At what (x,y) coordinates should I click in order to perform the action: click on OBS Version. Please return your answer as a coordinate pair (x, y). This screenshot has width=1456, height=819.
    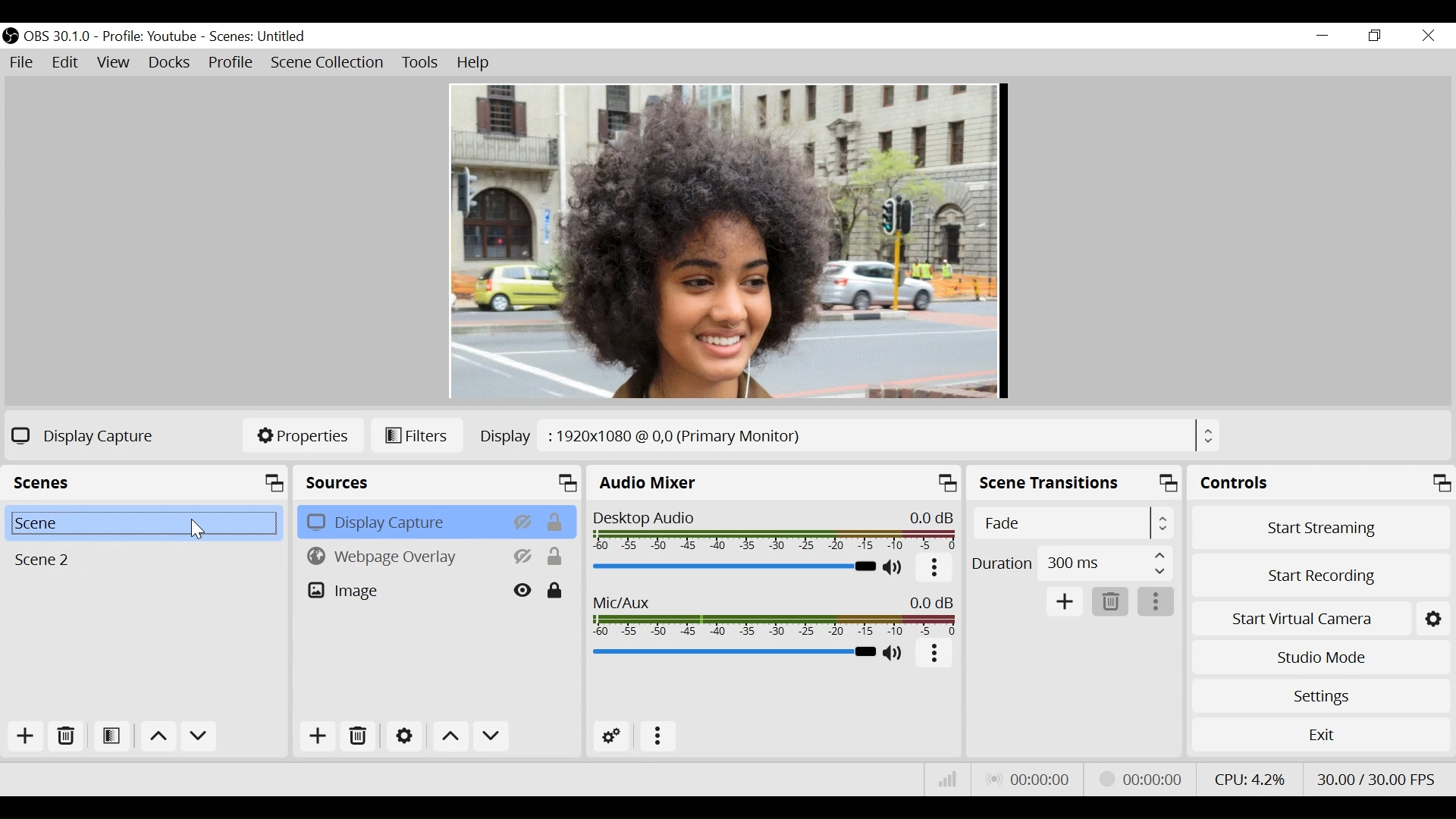
    Looking at the image, I should click on (58, 37).